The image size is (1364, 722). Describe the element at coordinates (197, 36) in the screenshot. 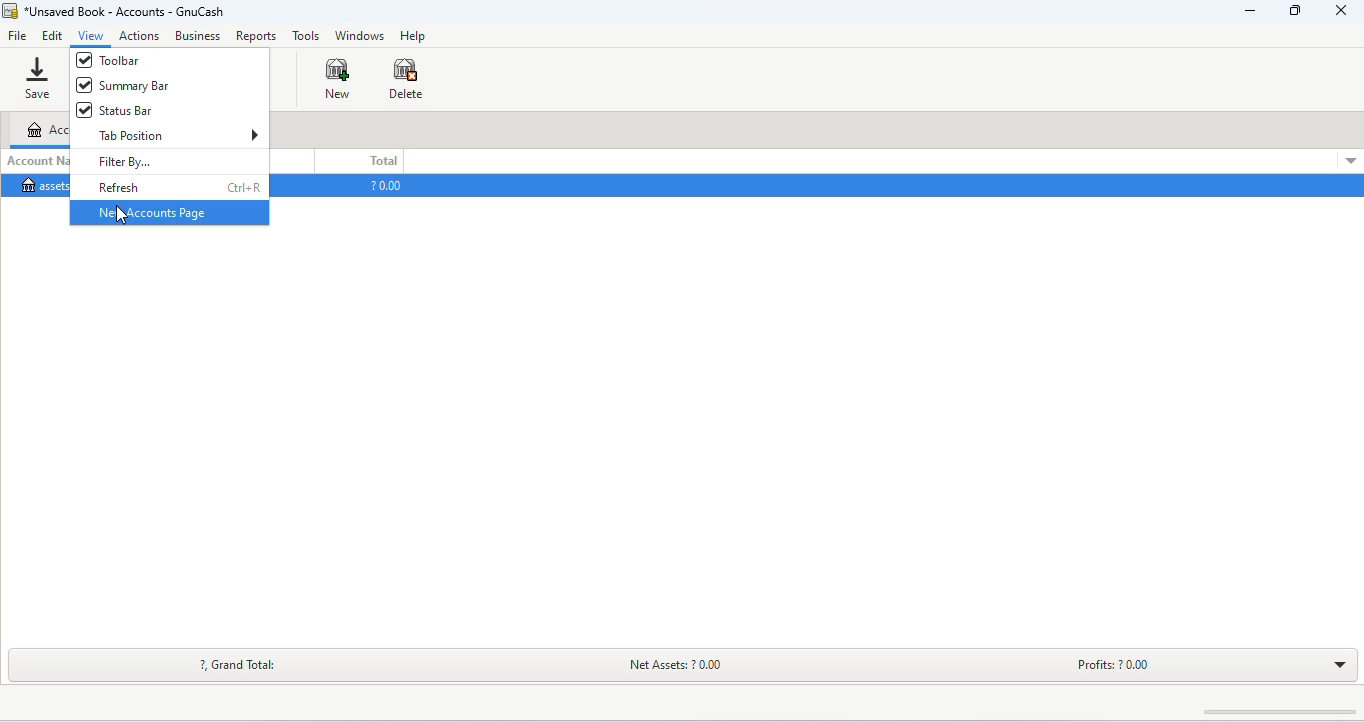

I see `business` at that location.